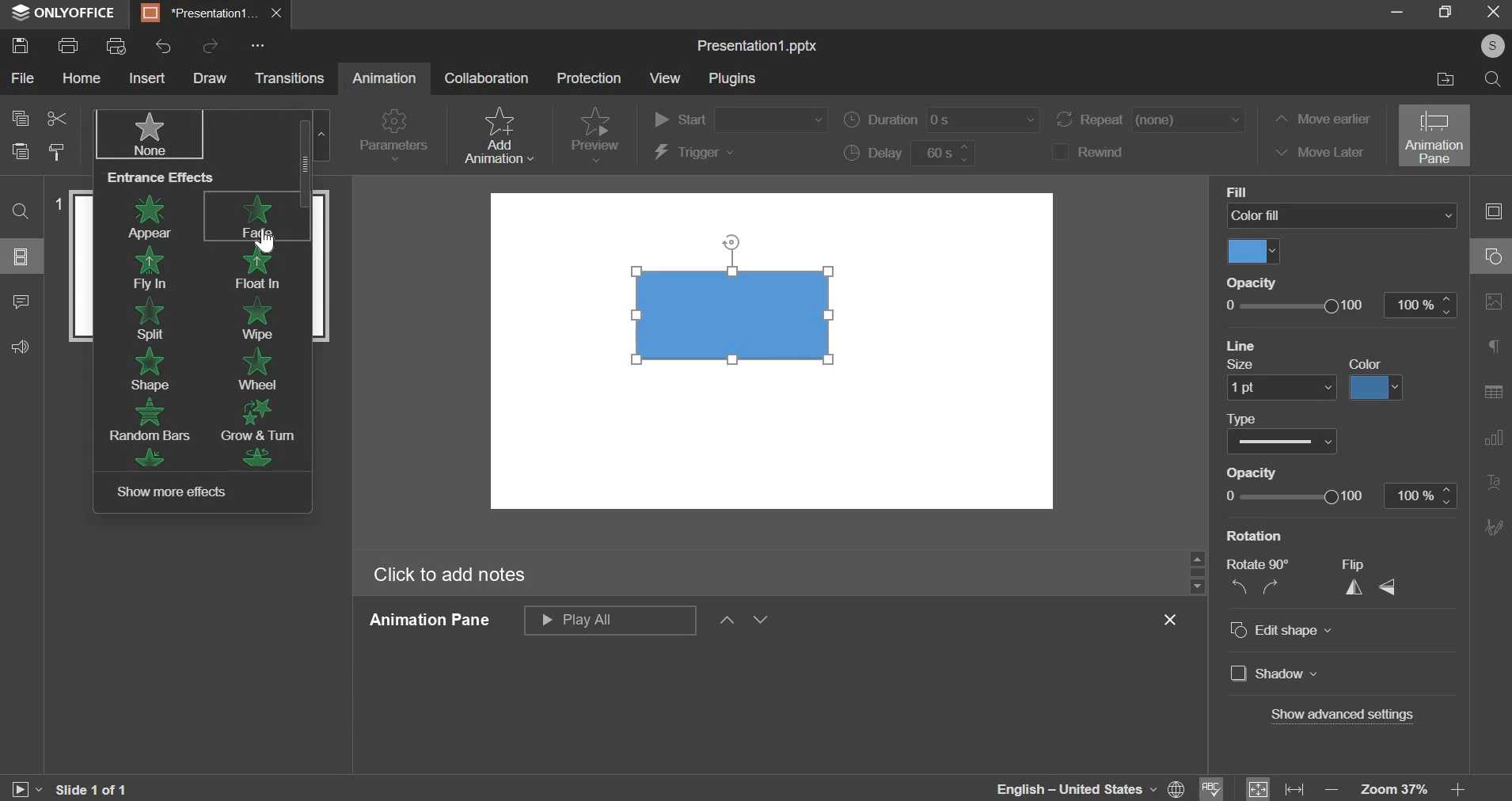 This screenshot has width=1512, height=801. I want to click on Opacity, so click(1261, 469).